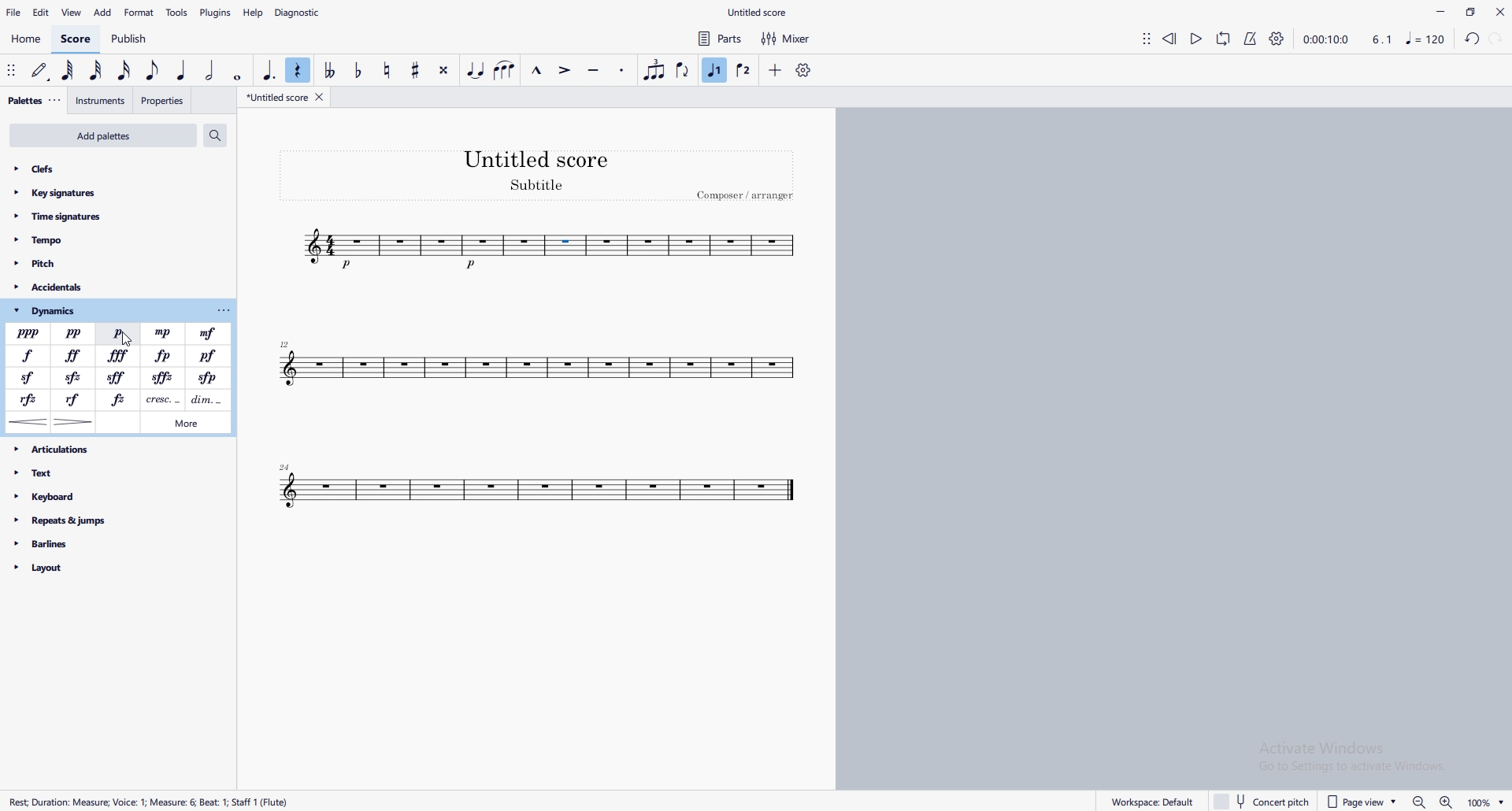 The image size is (1512, 811). What do you see at coordinates (361, 70) in the screenshot?
I see `toggle flat` at bounding box center [361, 70].